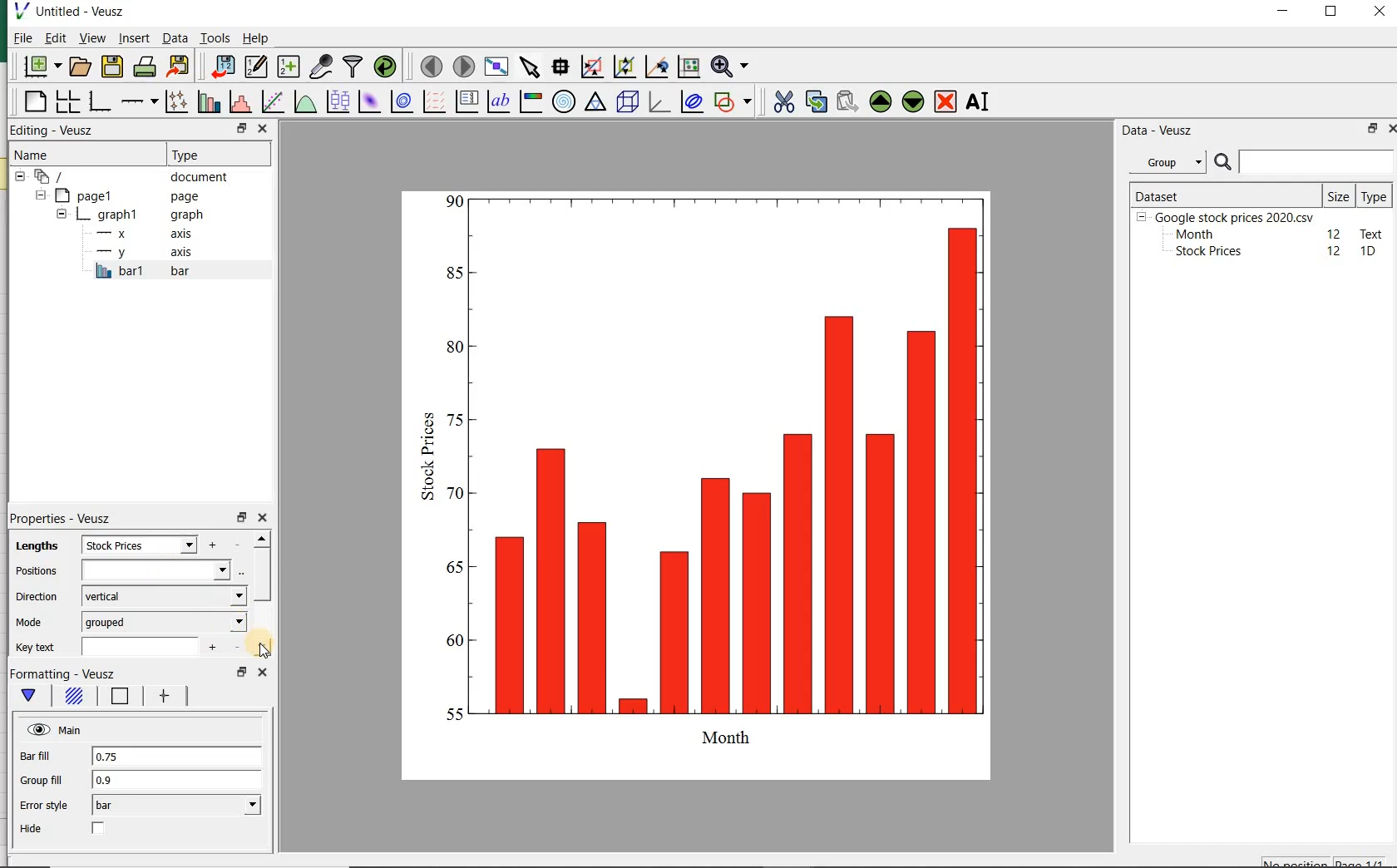 This screenshot has height=868, width=1397. I want to click on Bar fill, so click(36, 757).